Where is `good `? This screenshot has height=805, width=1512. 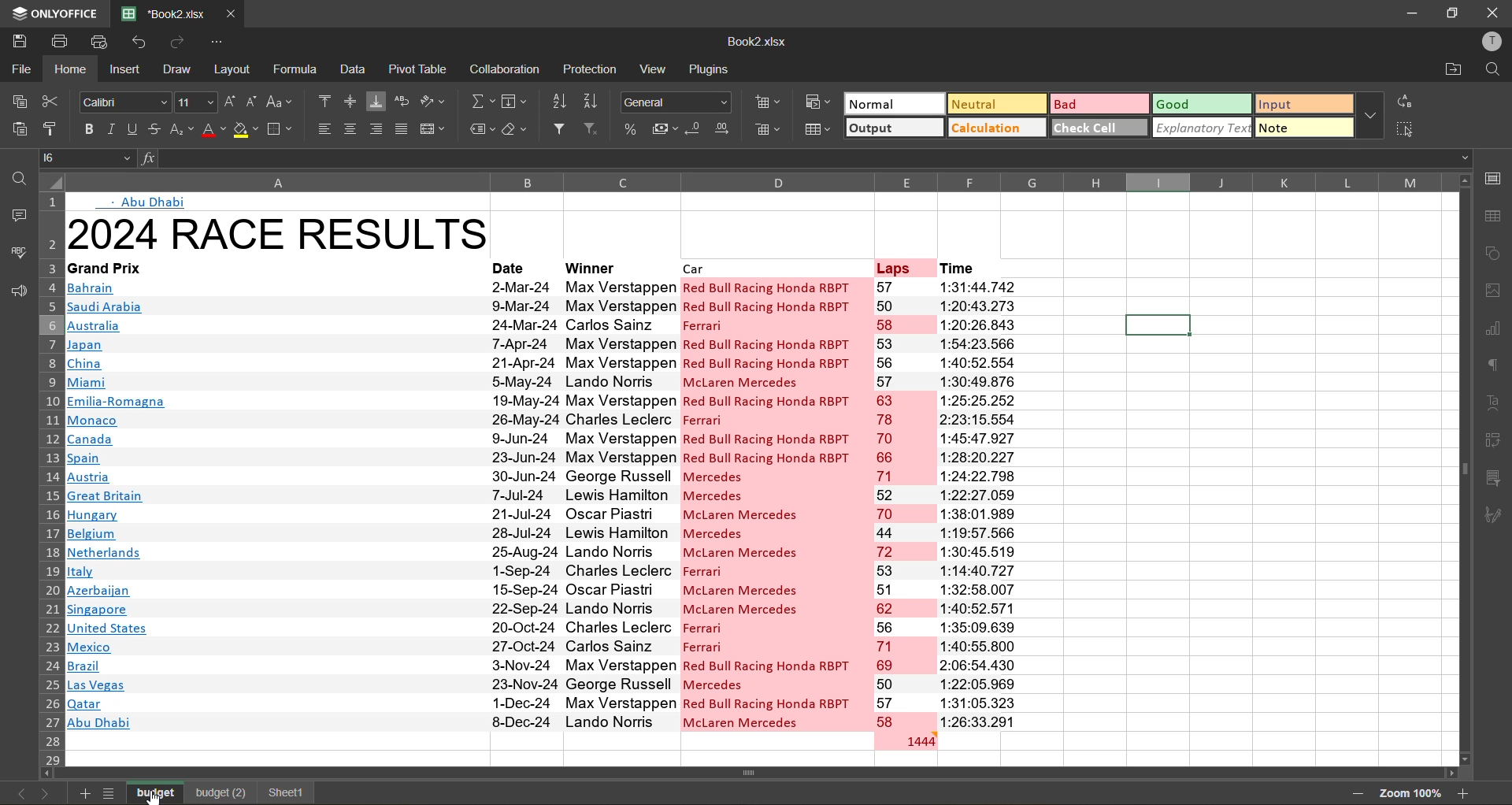
good  is located at coordinates (1203, 105).